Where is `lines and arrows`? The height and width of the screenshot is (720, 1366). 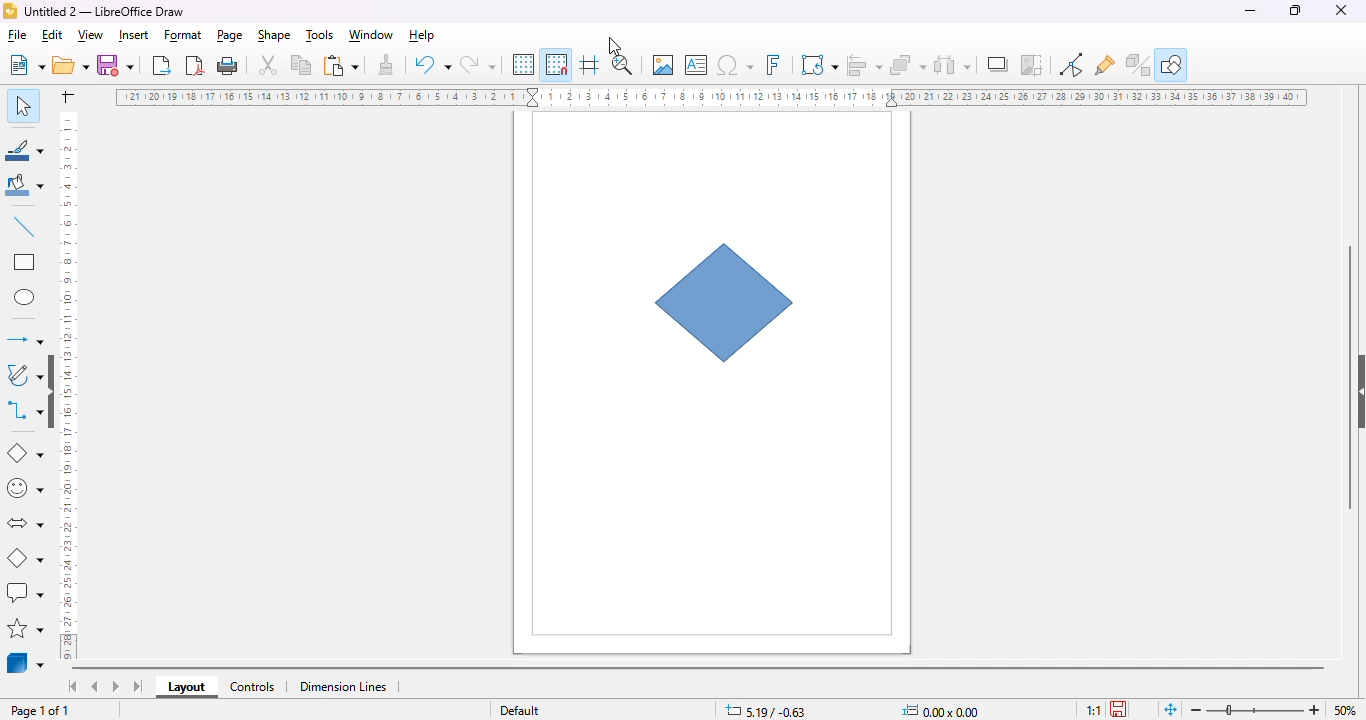
lines and arrows is located at coordinates (25, 339).